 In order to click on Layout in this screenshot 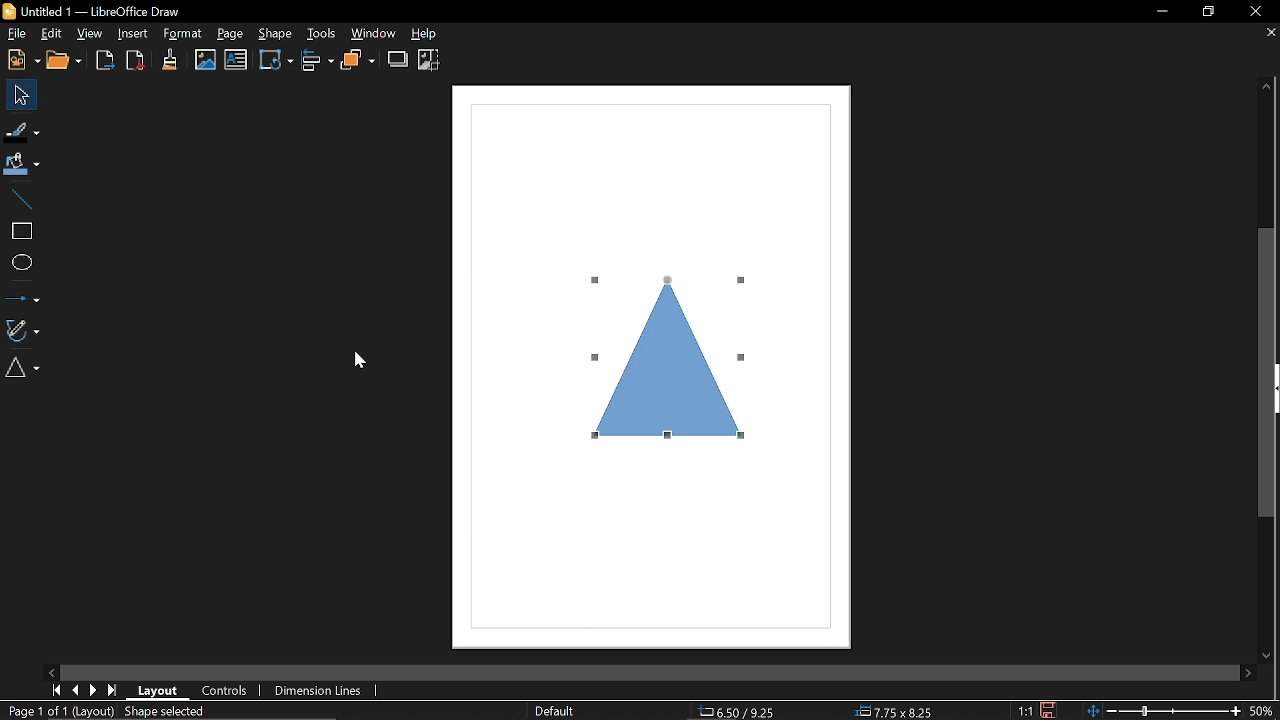, I will do `click(155, 689)`.